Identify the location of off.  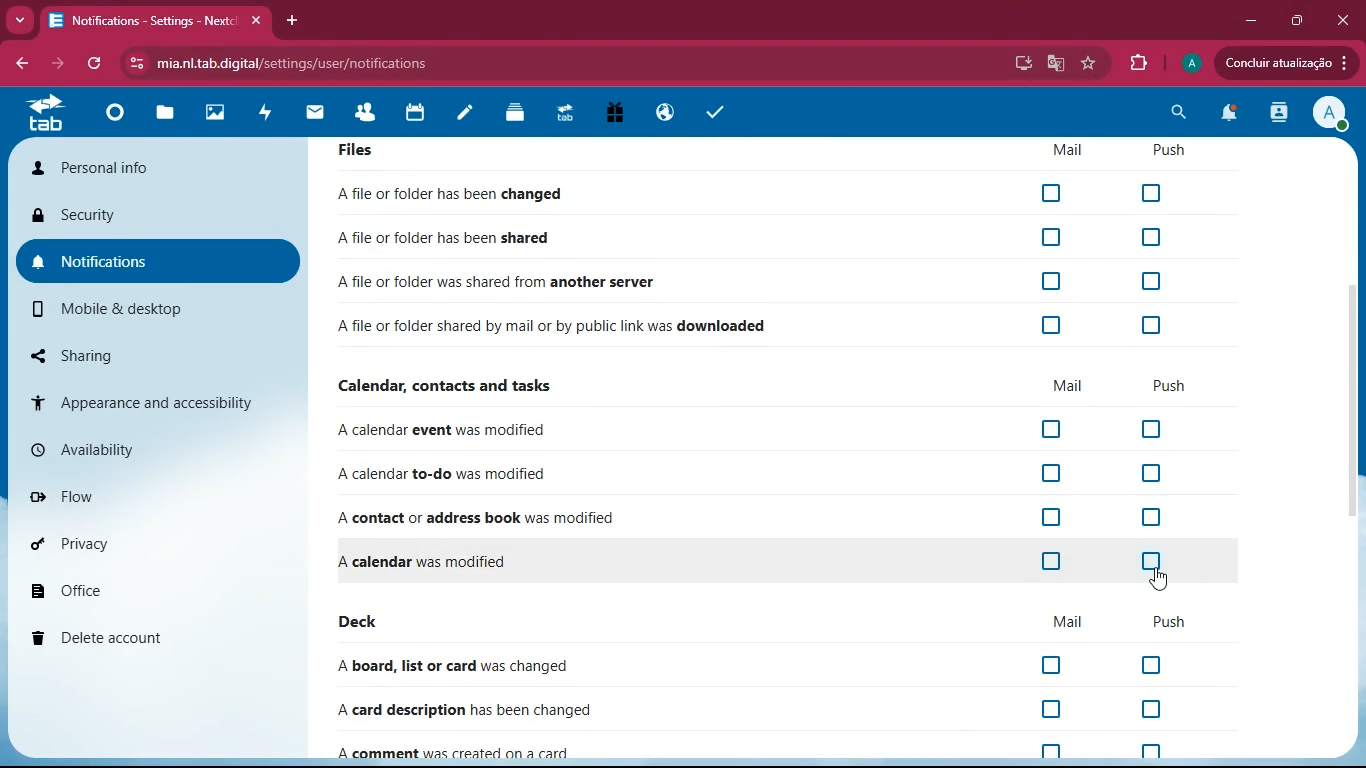
(1054, 520).